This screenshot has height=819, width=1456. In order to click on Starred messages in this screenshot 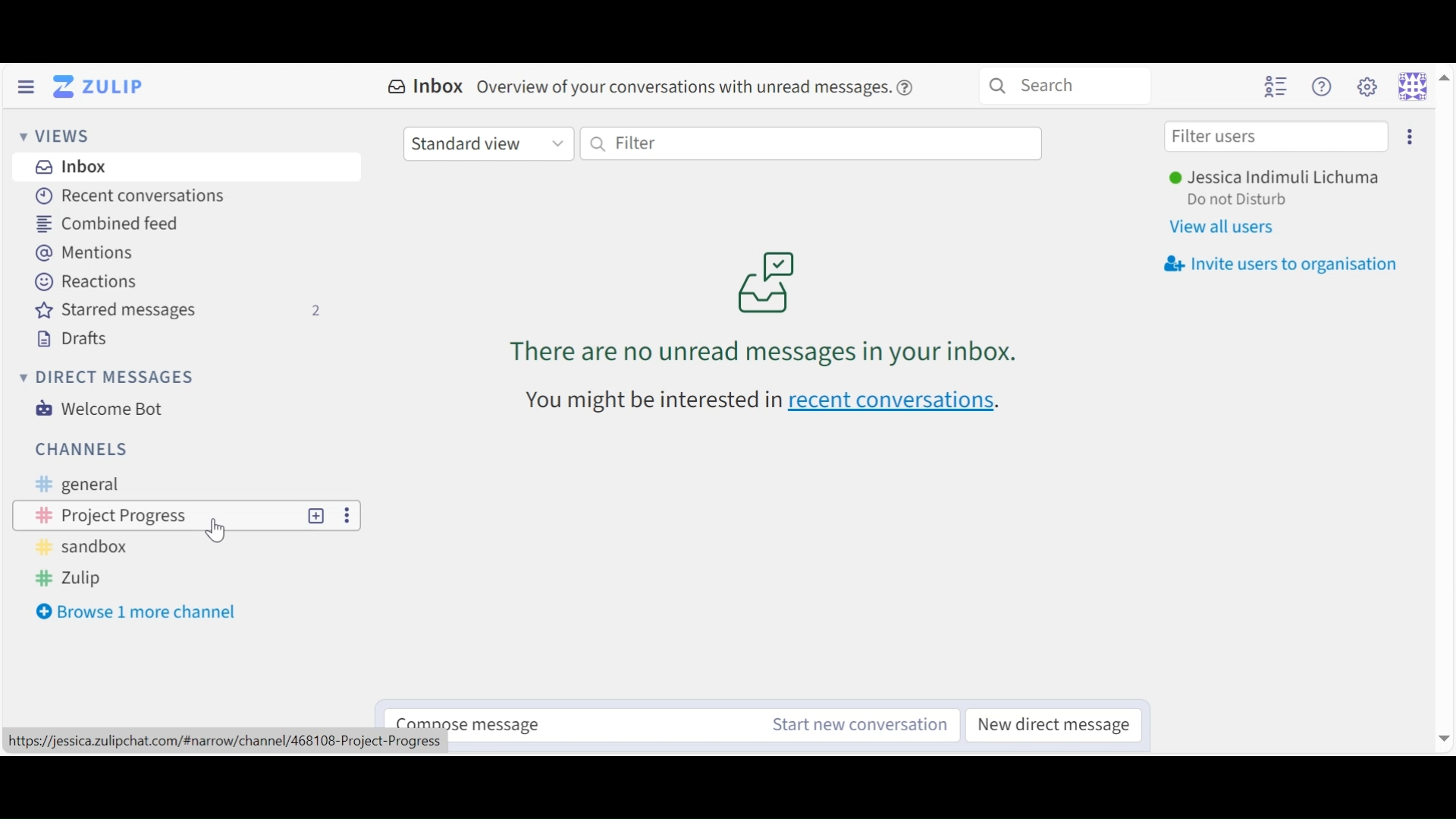, I will do `click(177, 313)`.